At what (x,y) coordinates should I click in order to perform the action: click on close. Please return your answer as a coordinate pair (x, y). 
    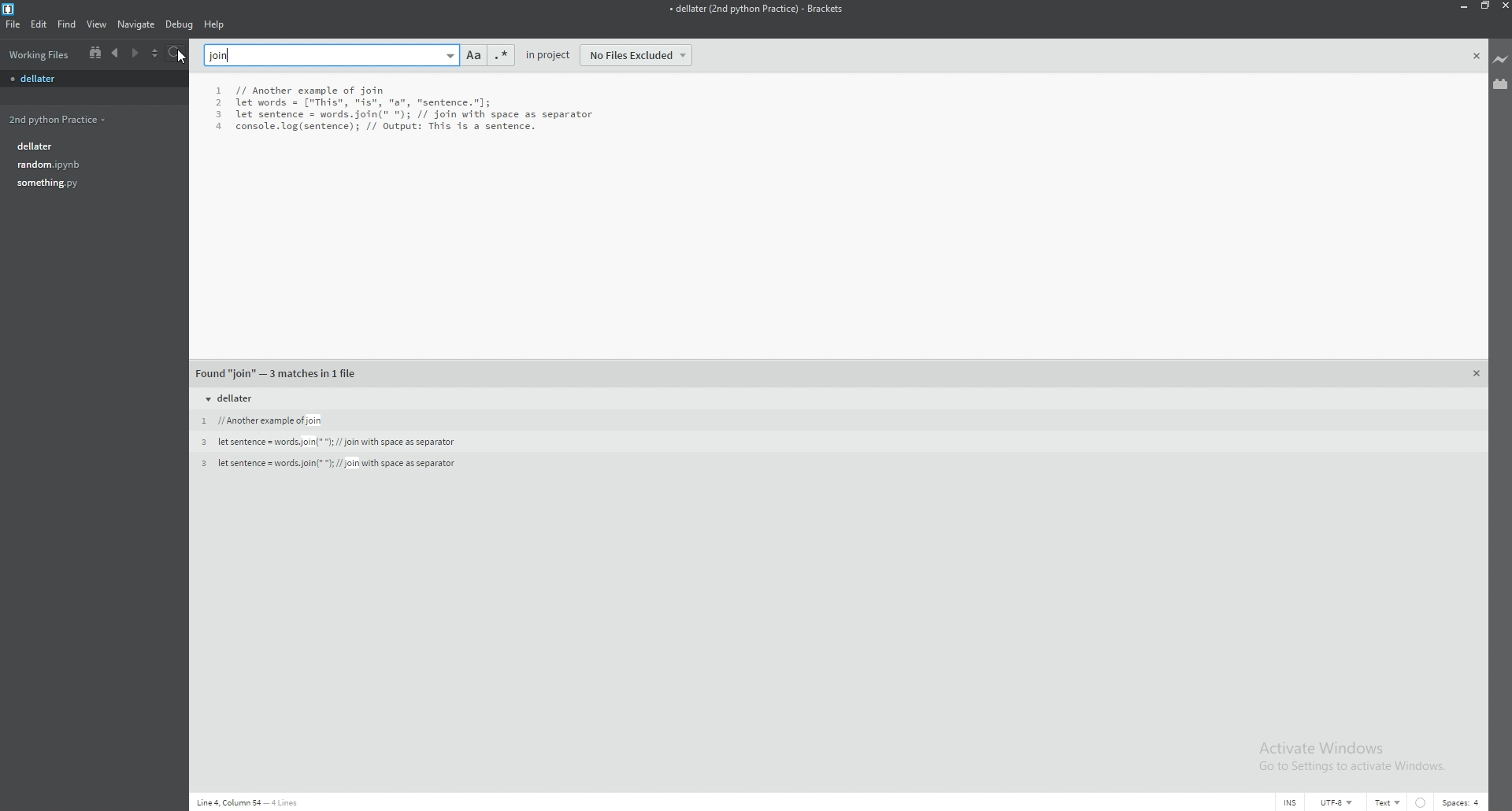
    Looking at the image, I should click on (1476, 56).